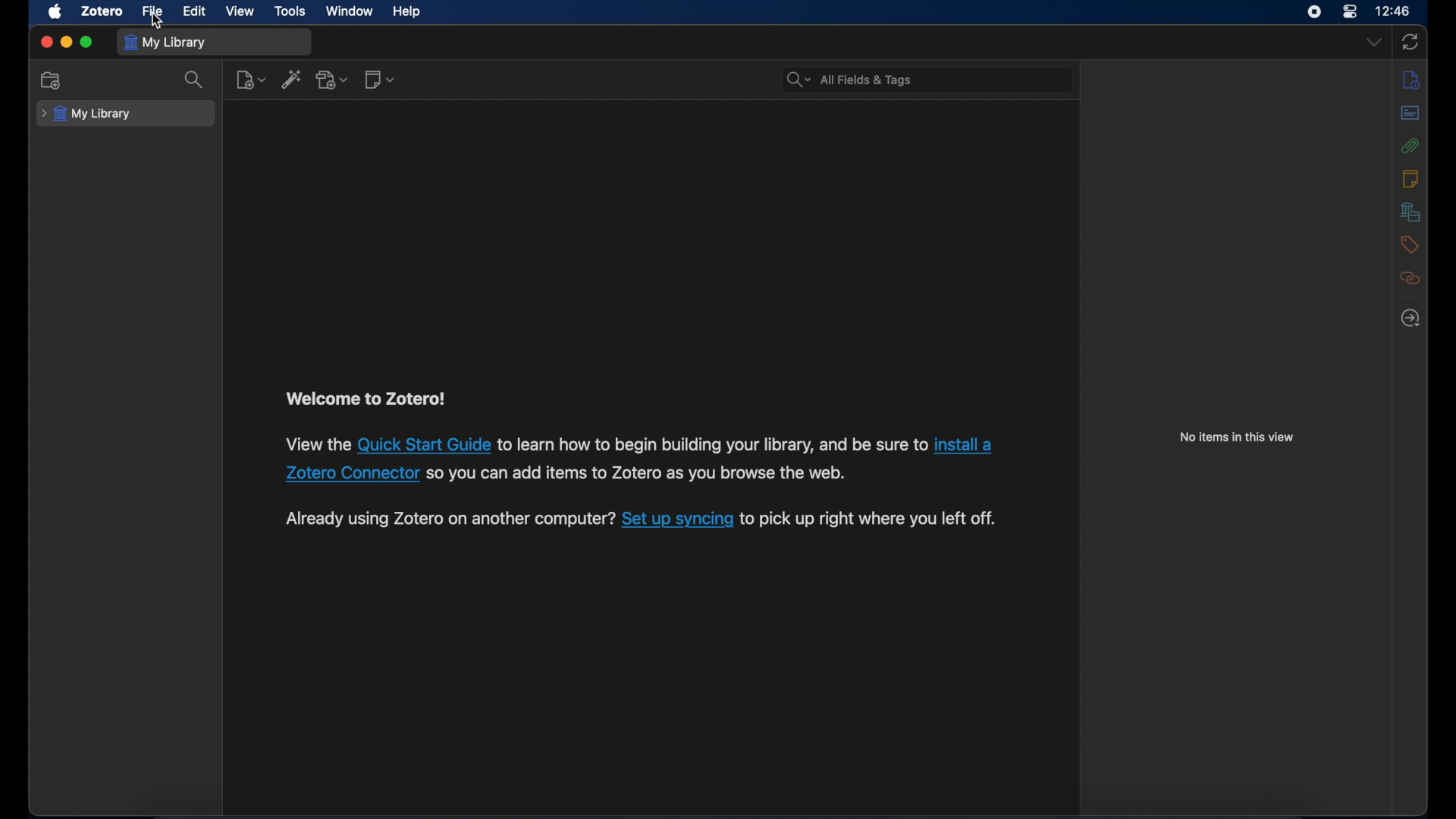 This screenshot has width=1456, height=819. What do you see at coordinates (1414, 79) in the screenshot?
I see `notes` at bounding box center [1414, 79].